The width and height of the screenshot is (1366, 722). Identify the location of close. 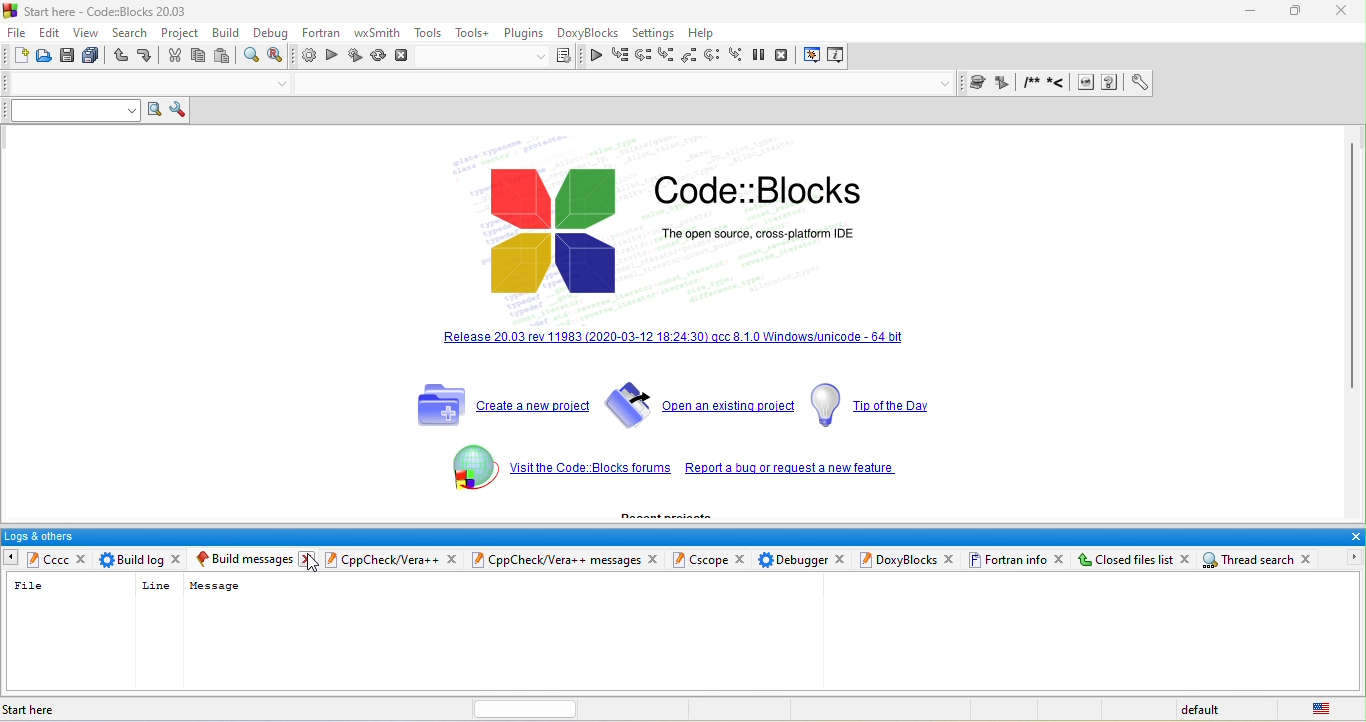
(1343, 11).